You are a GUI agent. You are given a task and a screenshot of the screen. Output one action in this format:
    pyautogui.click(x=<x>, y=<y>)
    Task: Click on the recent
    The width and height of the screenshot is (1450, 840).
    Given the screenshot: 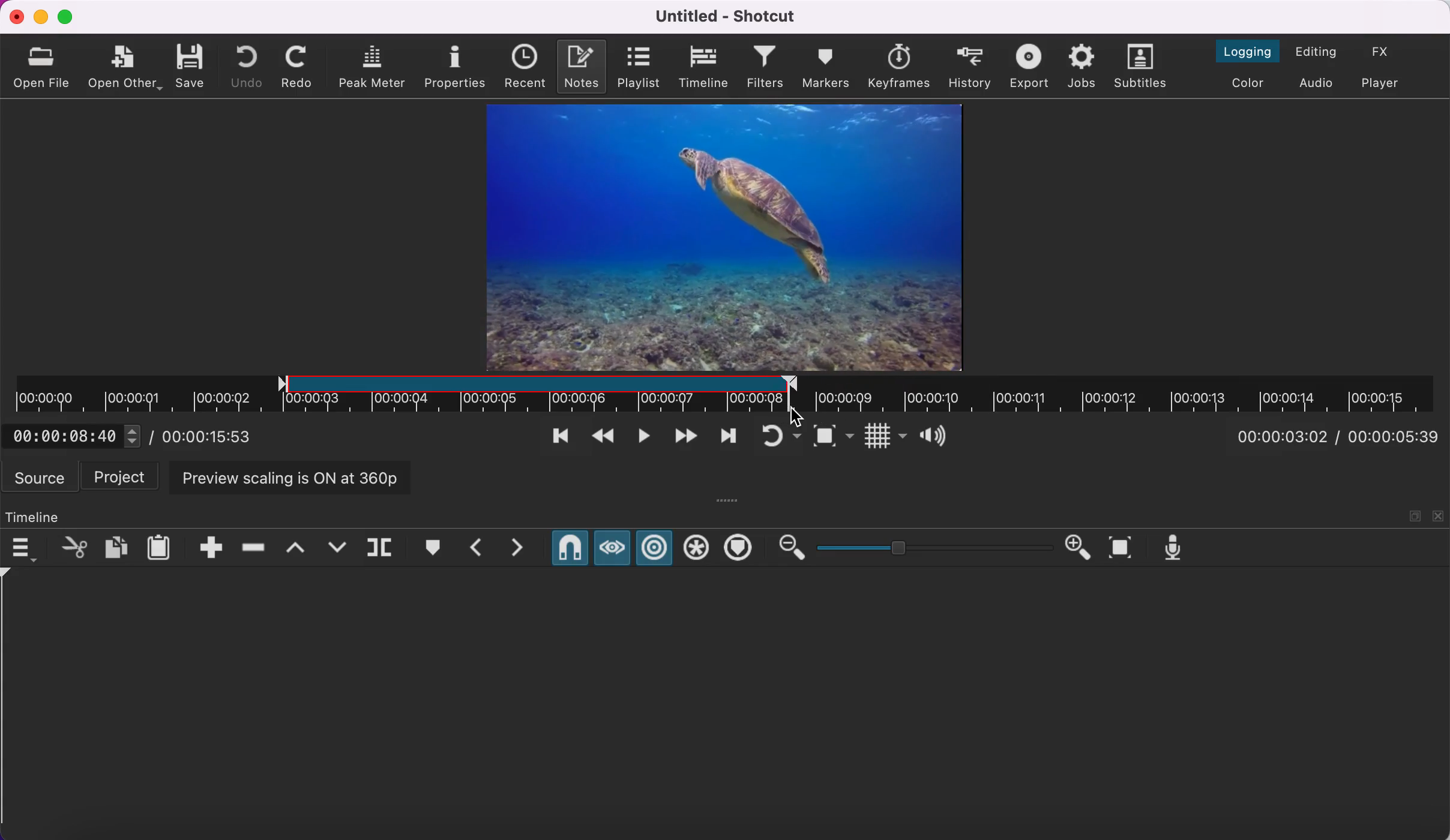 What is the action you would take?
    pyautogui.click(x=526, y=67)
    